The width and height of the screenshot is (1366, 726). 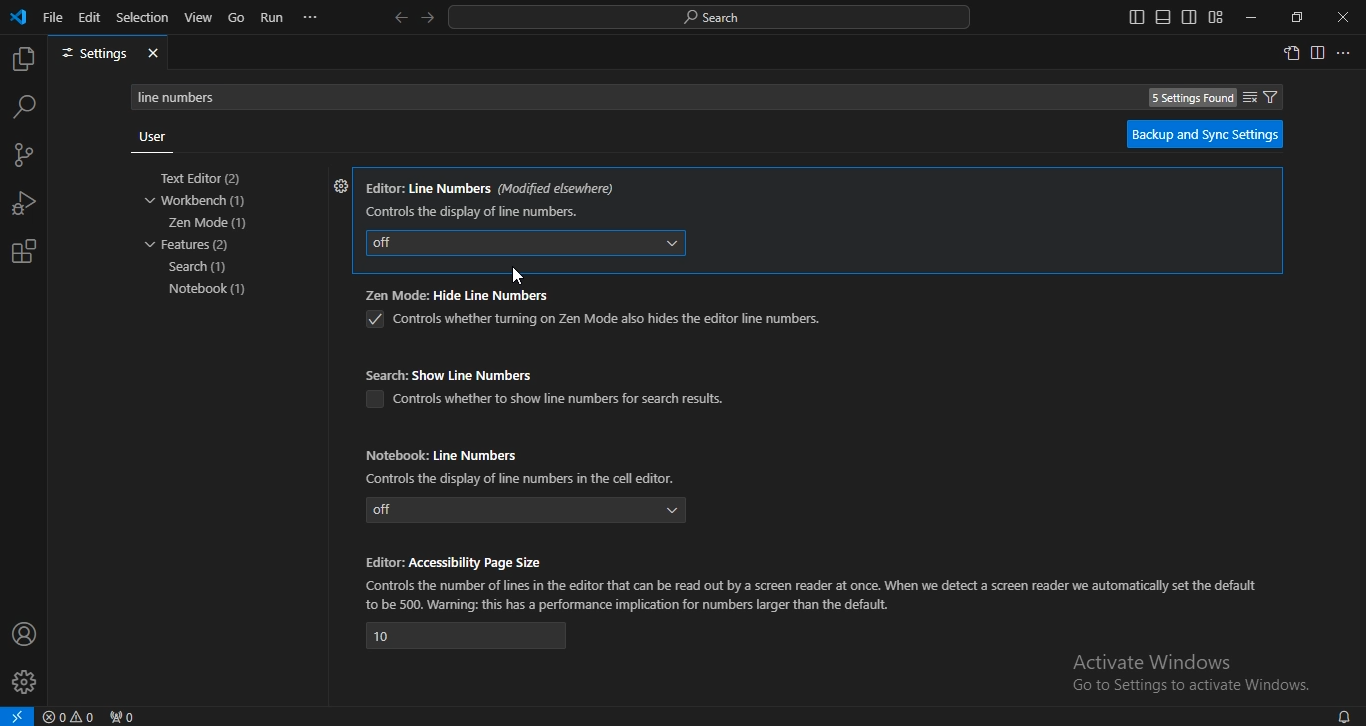 I want to click on view, so click(x=199, y=17).